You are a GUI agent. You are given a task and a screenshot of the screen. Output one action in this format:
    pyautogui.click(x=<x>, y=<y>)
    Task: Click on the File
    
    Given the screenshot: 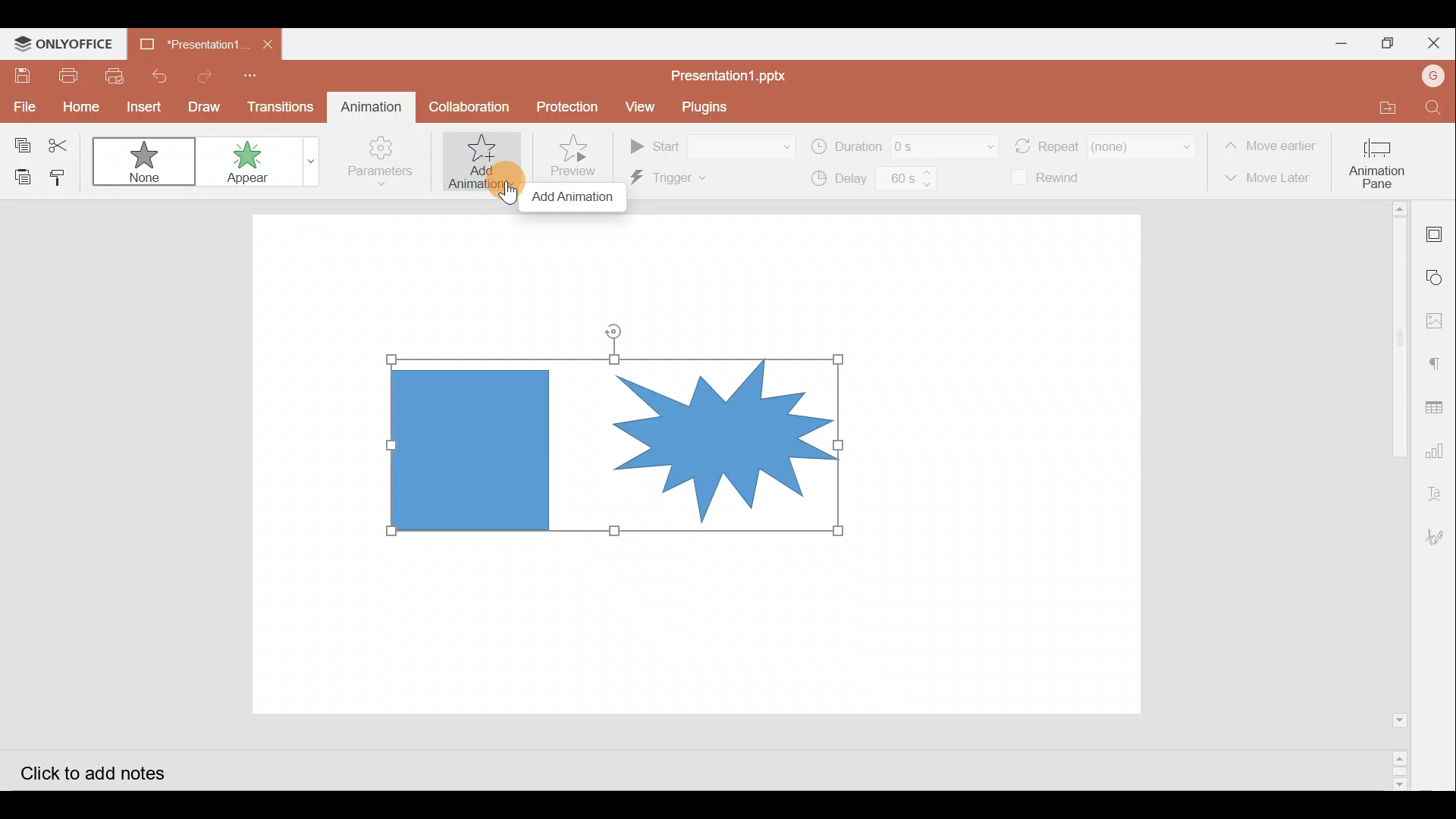 What is the action you would take?
    pyautogui.click(x=22, y=105)
    